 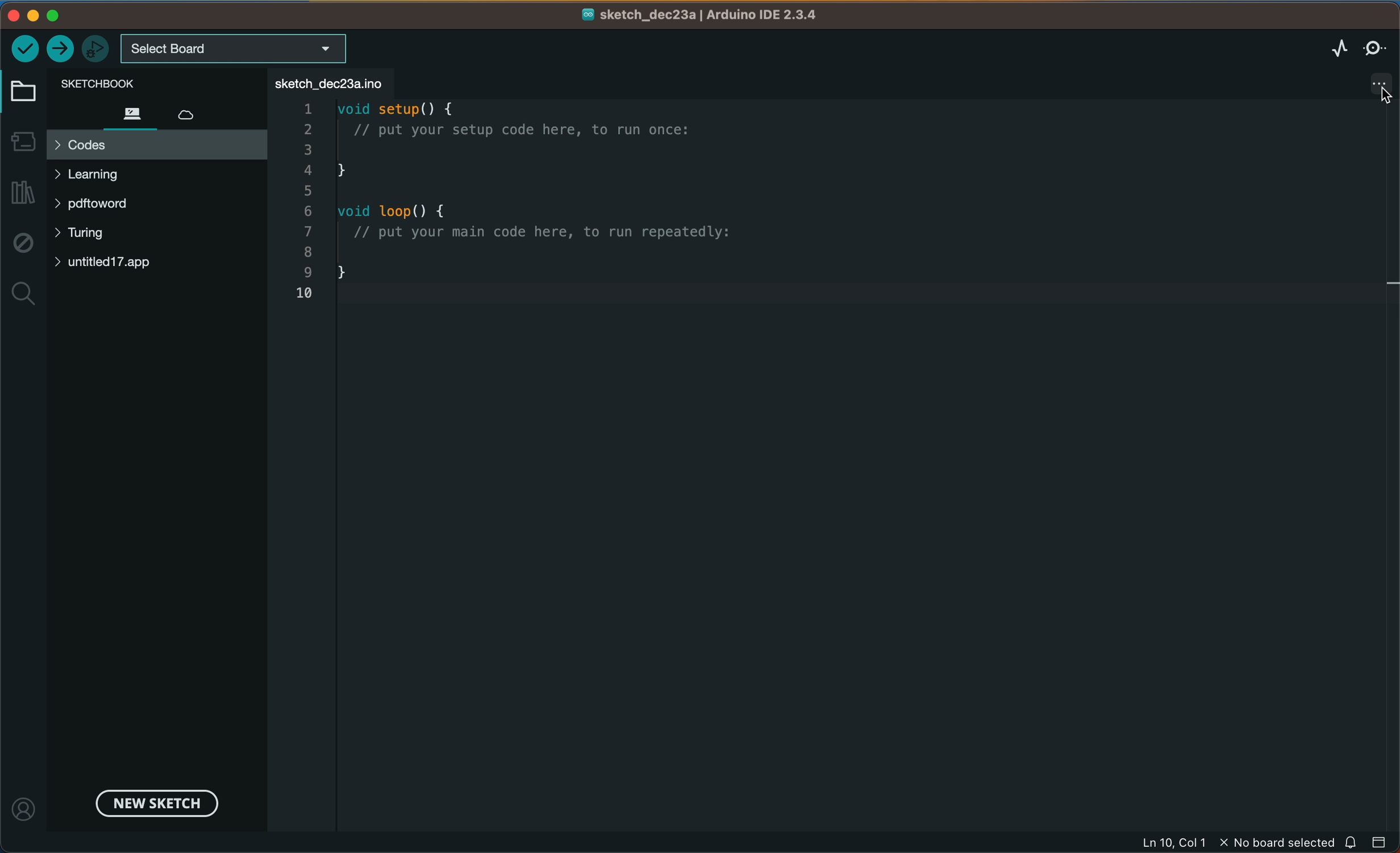 What do you see at coordinates (1378, 91) in the screenshot?
I see `cursor` at bounding box center [1378, 91].